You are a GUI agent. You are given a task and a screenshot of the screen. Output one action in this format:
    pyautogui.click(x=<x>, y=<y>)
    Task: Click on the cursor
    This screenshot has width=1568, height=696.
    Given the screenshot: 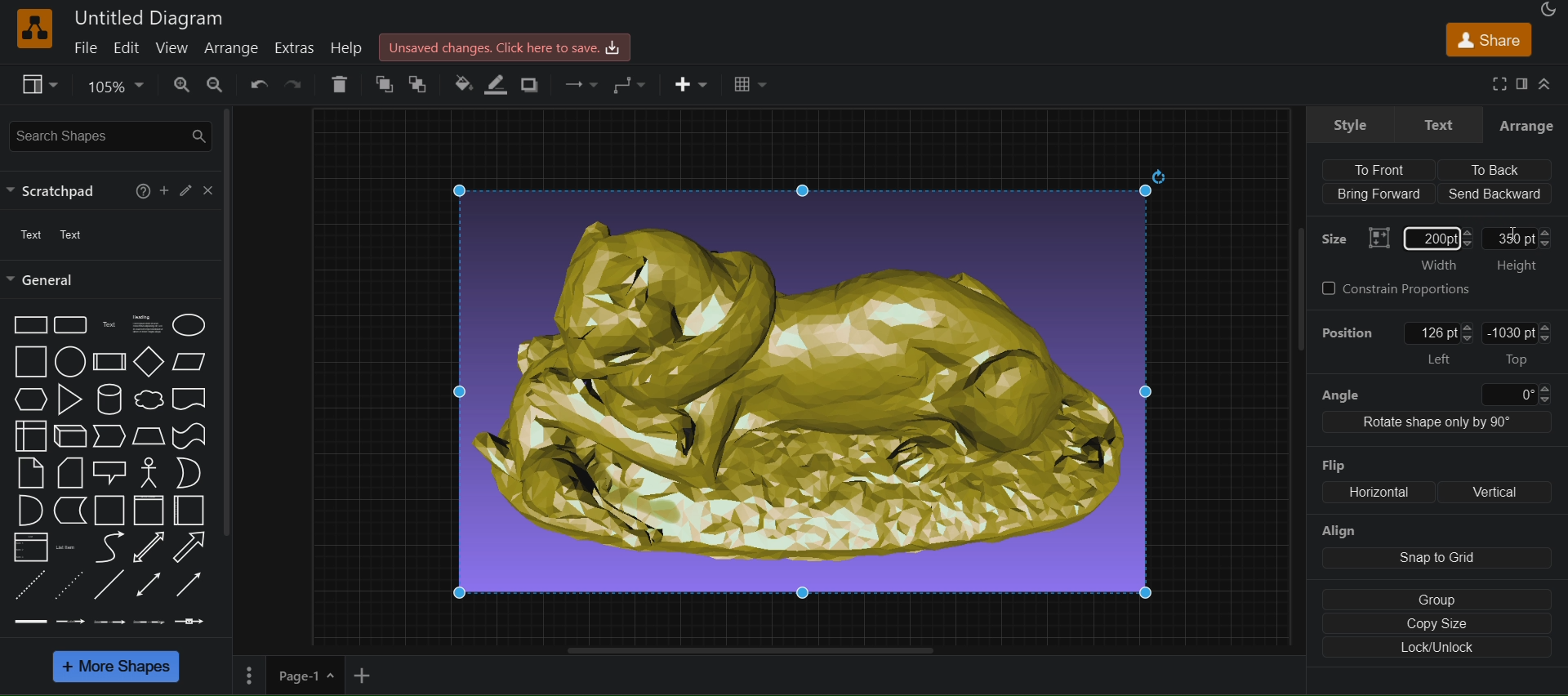 What is the action you would take?
    pyautogui.click(x=1515, y=236)
    